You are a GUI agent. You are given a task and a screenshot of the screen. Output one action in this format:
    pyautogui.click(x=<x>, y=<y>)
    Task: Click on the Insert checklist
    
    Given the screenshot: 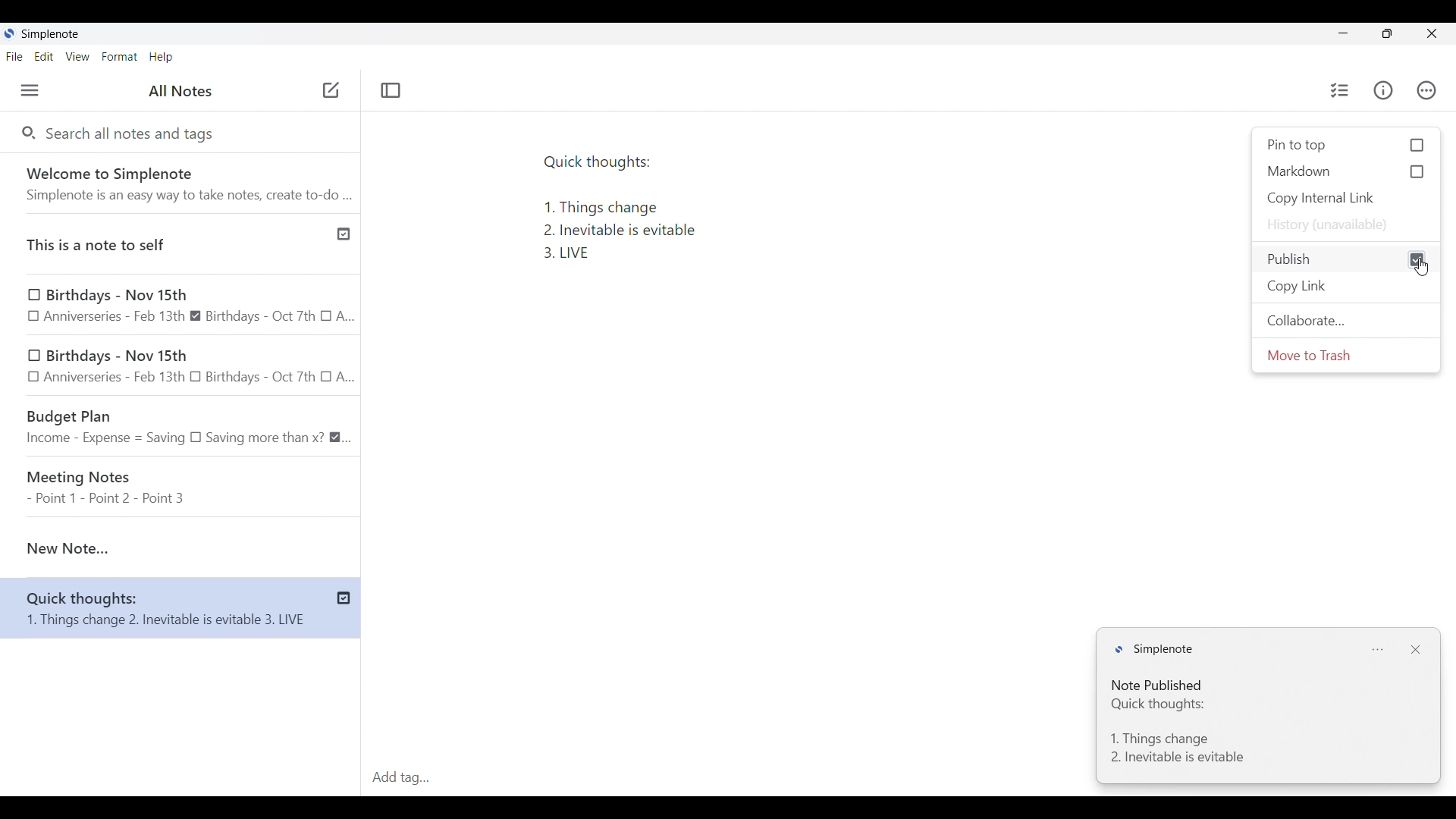 What is the action you would take?
    pyautogui.click(x=1340, y=90)
    